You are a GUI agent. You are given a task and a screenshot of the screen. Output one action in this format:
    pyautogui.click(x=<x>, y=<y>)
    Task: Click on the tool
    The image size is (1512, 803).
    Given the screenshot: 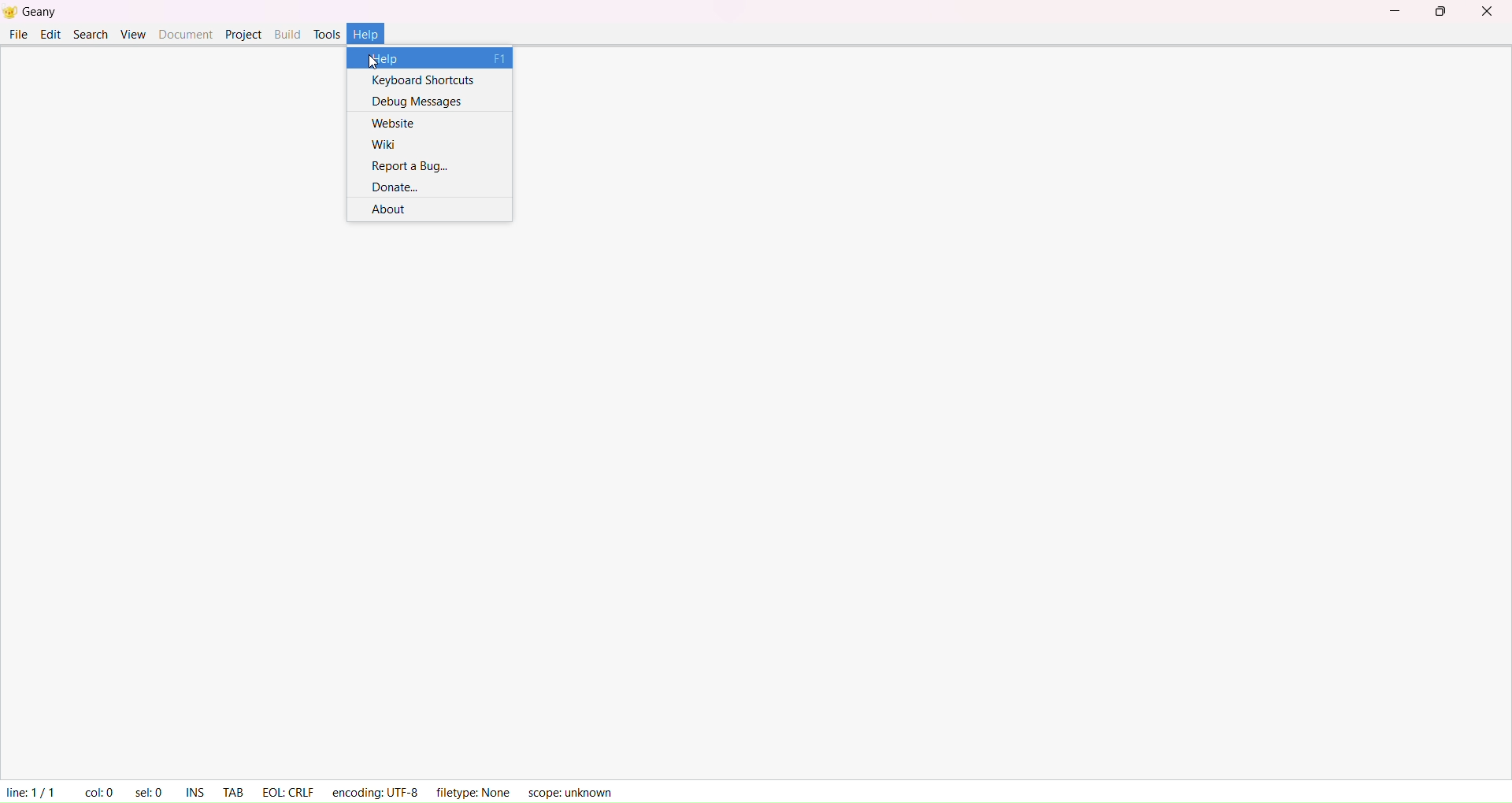 What is the action you would take?
    pyautogui.click(x=328, y=32)
    